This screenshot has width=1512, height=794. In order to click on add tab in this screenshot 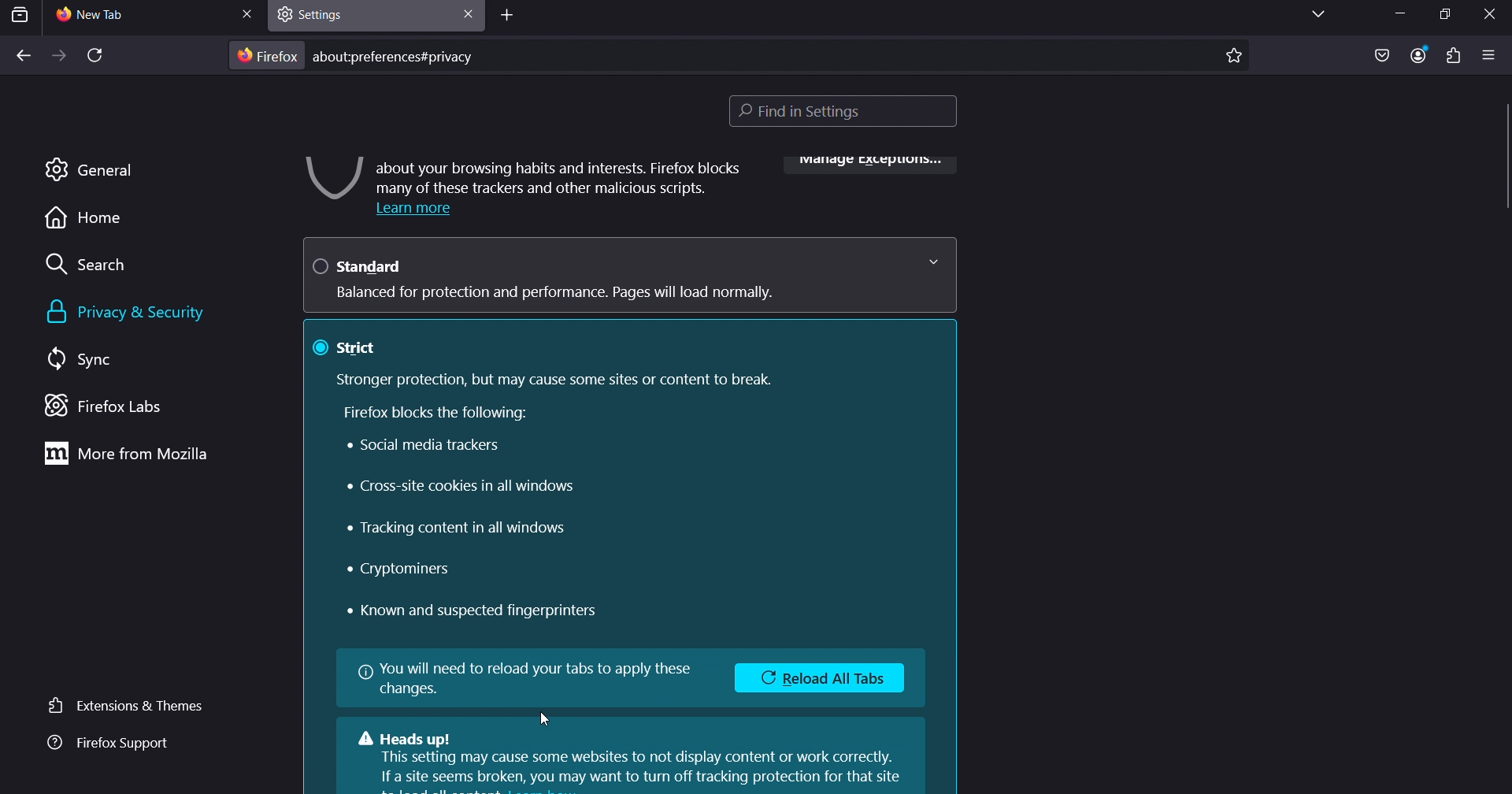, I will do `click(509, 18)`.